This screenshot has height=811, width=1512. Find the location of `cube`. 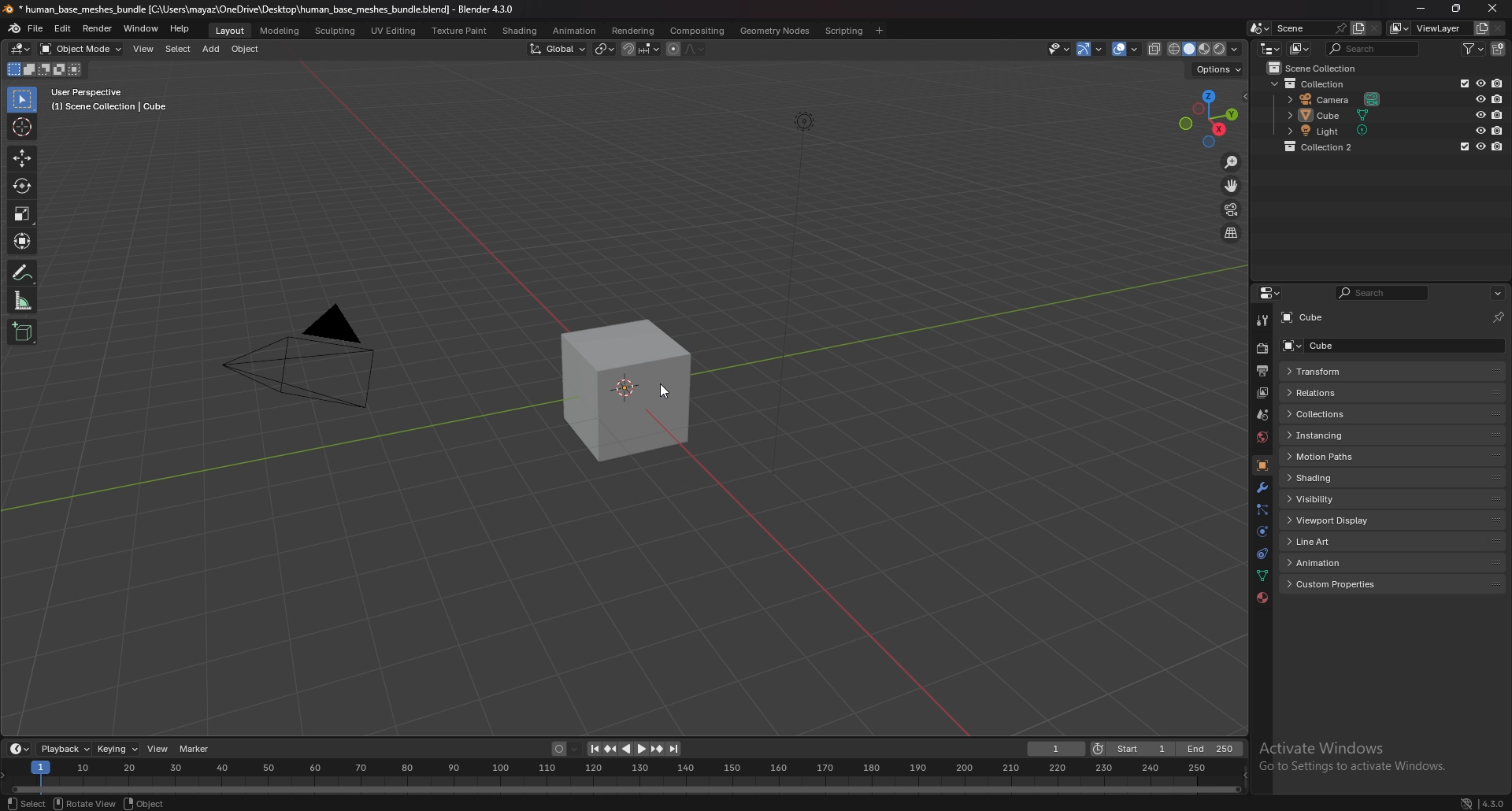

cube is located at coordinates (1307, 318).